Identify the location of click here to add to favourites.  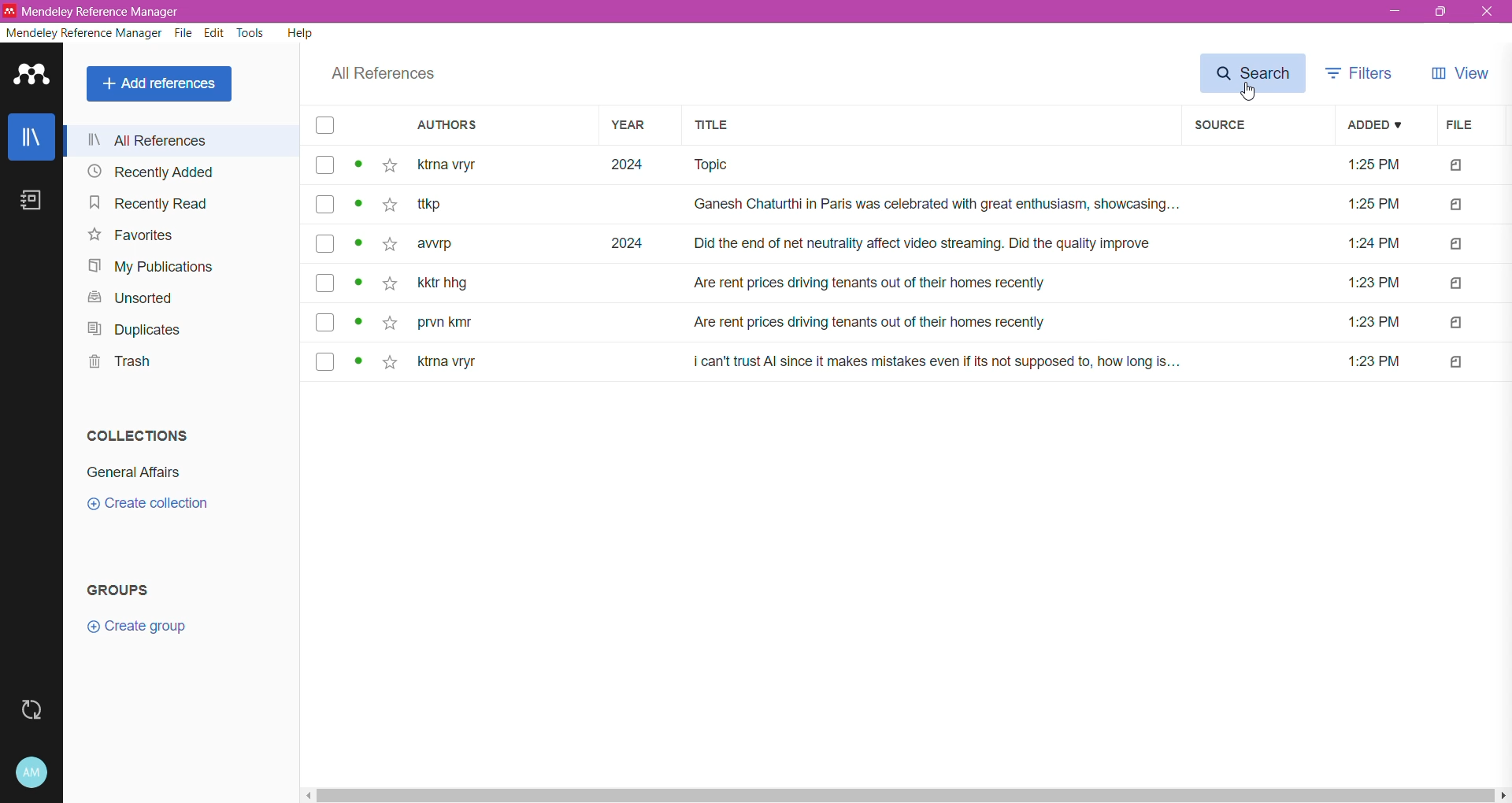
(393, 362).